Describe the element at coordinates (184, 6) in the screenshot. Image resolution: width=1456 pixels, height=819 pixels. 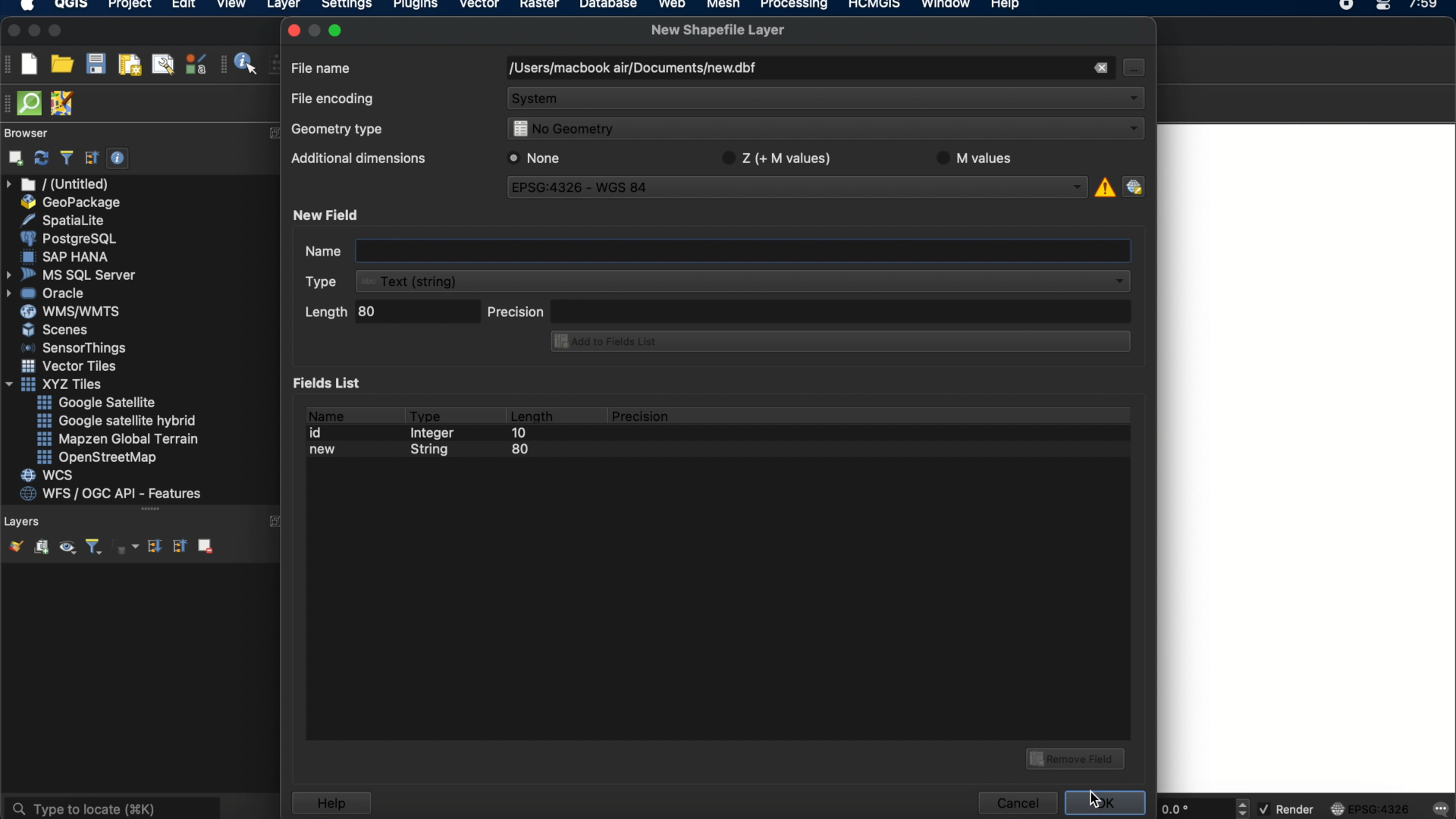
I see `edit` at that location.